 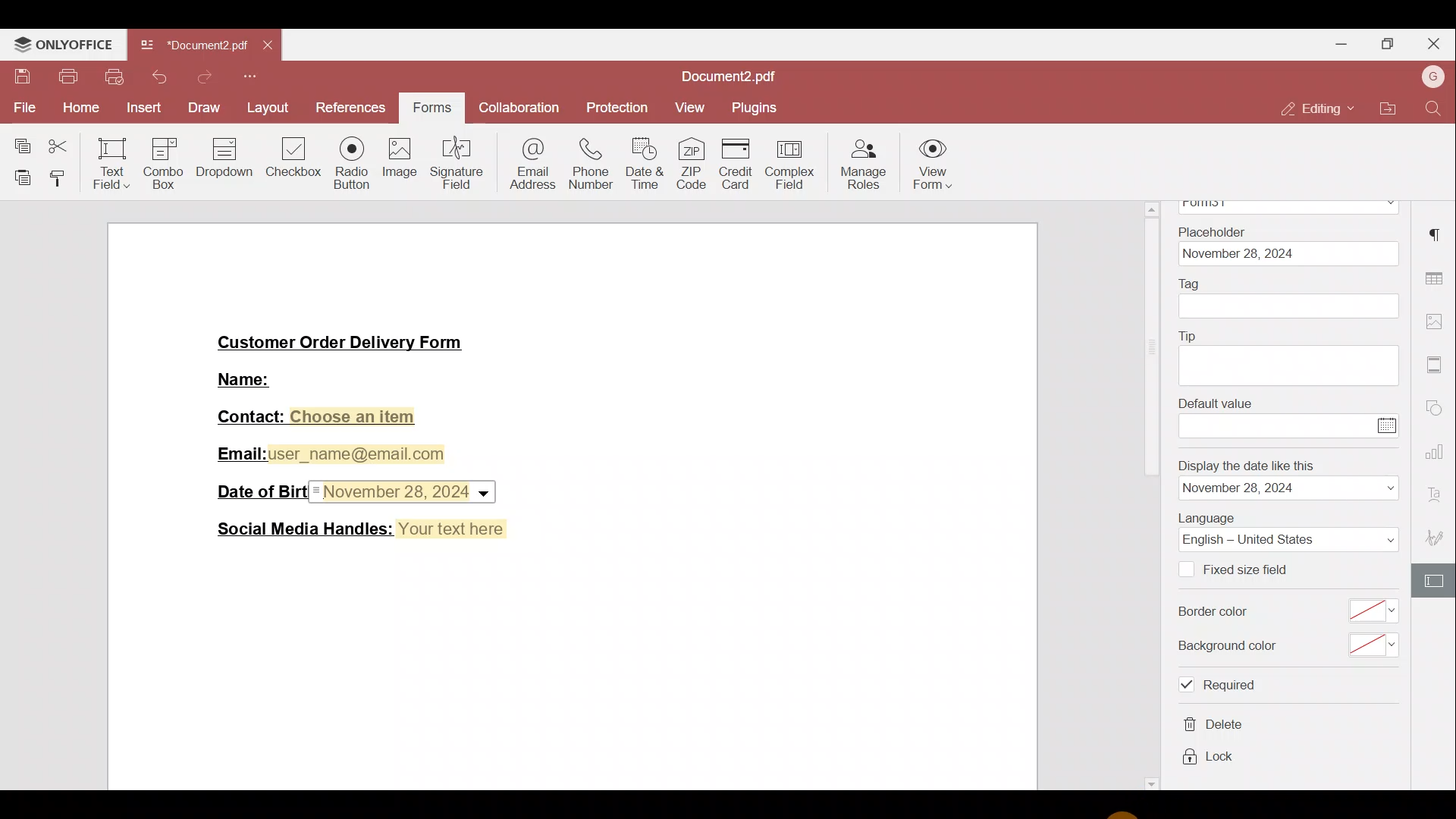 I want to click on Display the date like this, so click(x=1248, y=464).